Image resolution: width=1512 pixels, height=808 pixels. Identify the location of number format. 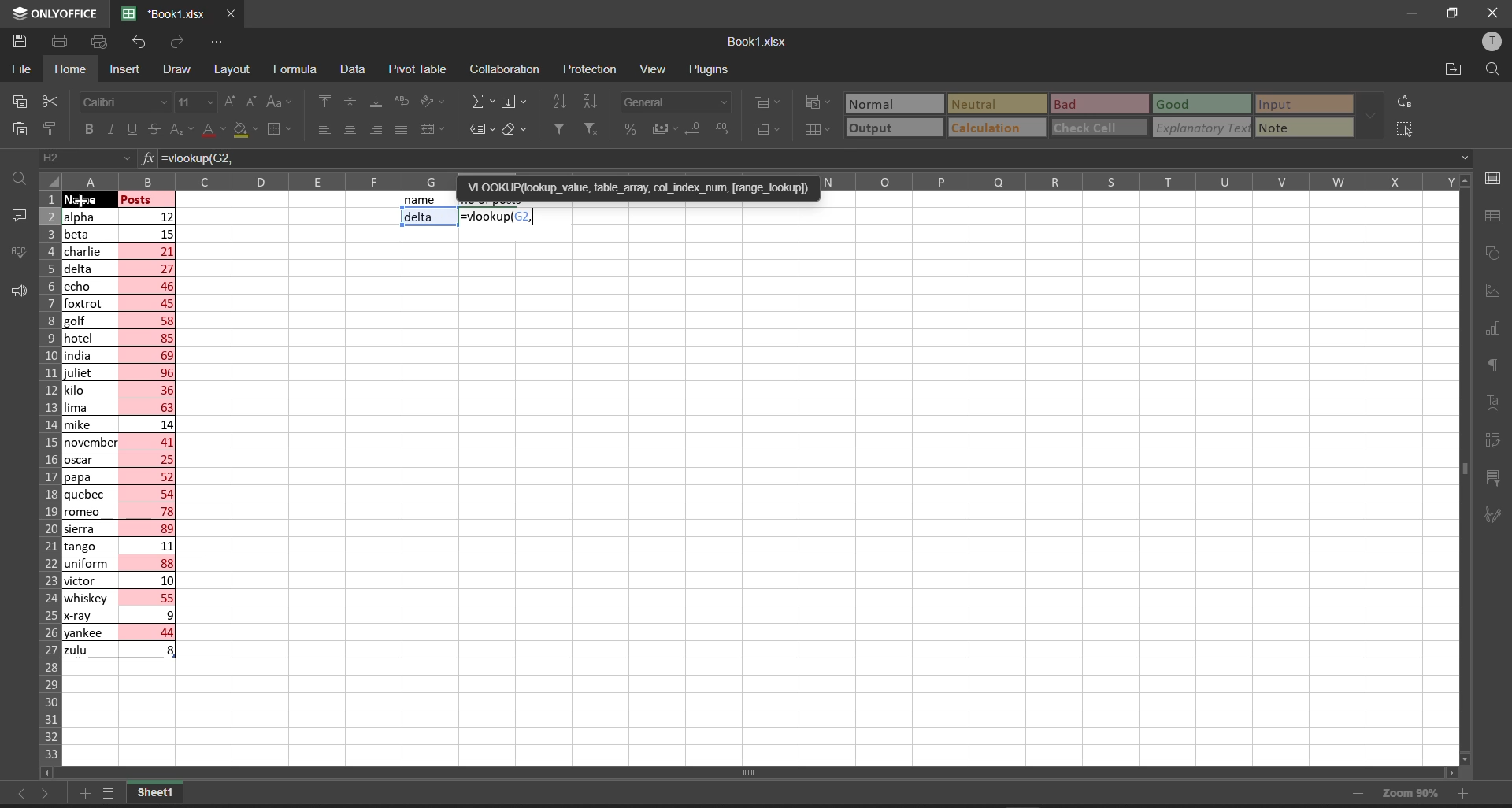
(676, 102).